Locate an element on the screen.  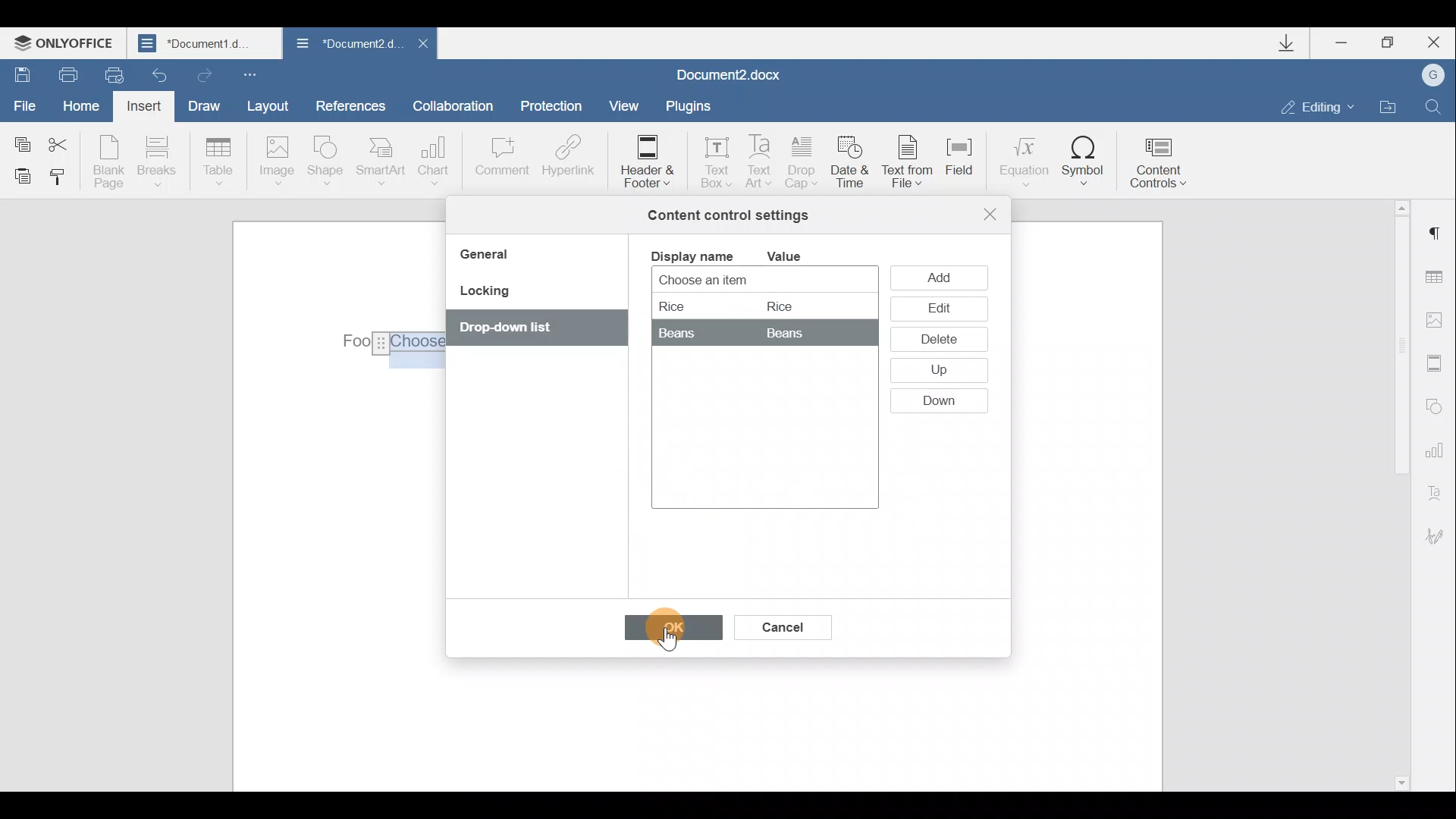
Table is located at coordinates (219, 163).